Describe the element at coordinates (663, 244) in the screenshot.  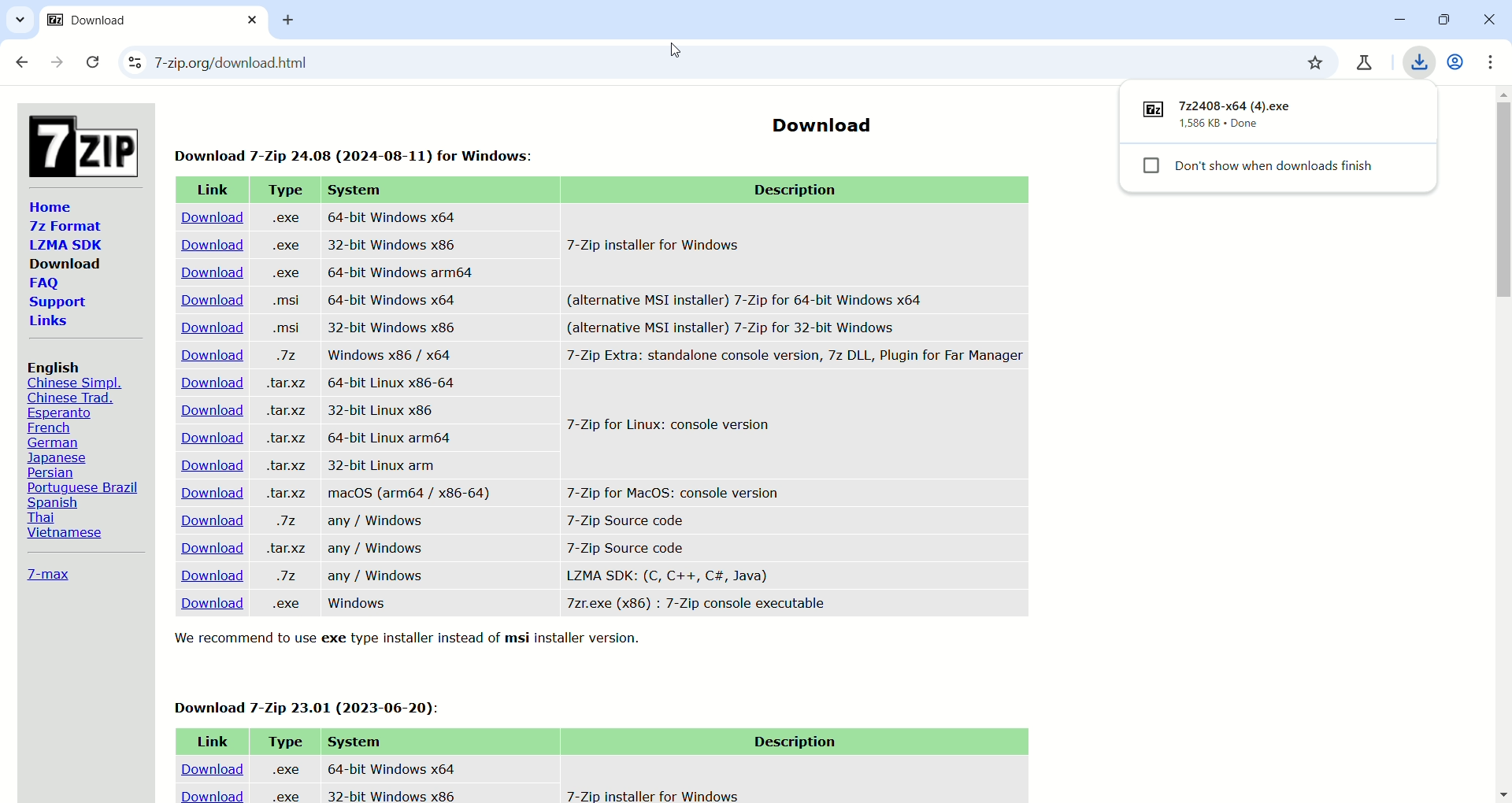
I see `7-Zip installer for Windows` at that location.